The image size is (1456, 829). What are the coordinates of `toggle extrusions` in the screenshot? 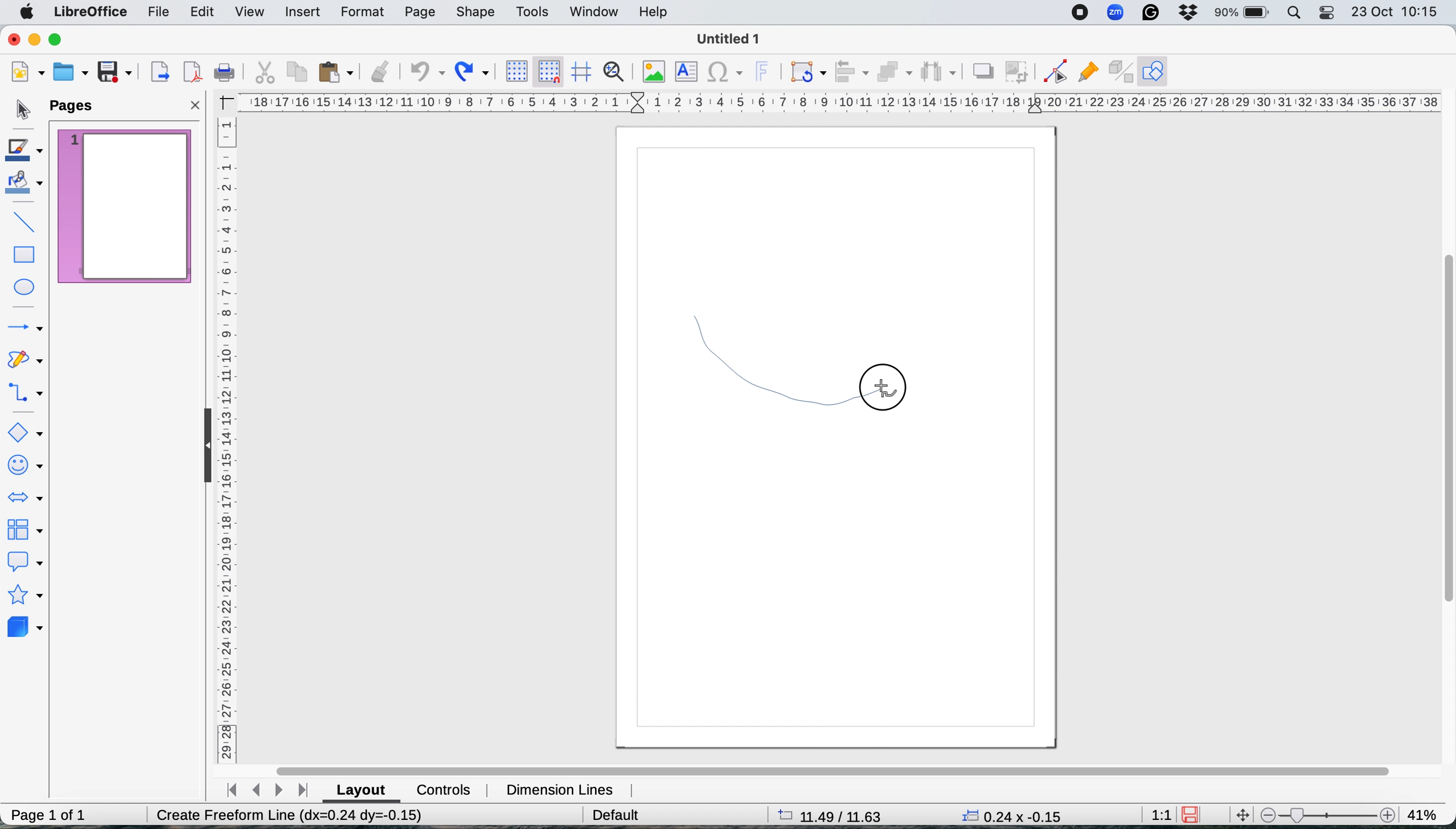 It's located at (1119, 71).